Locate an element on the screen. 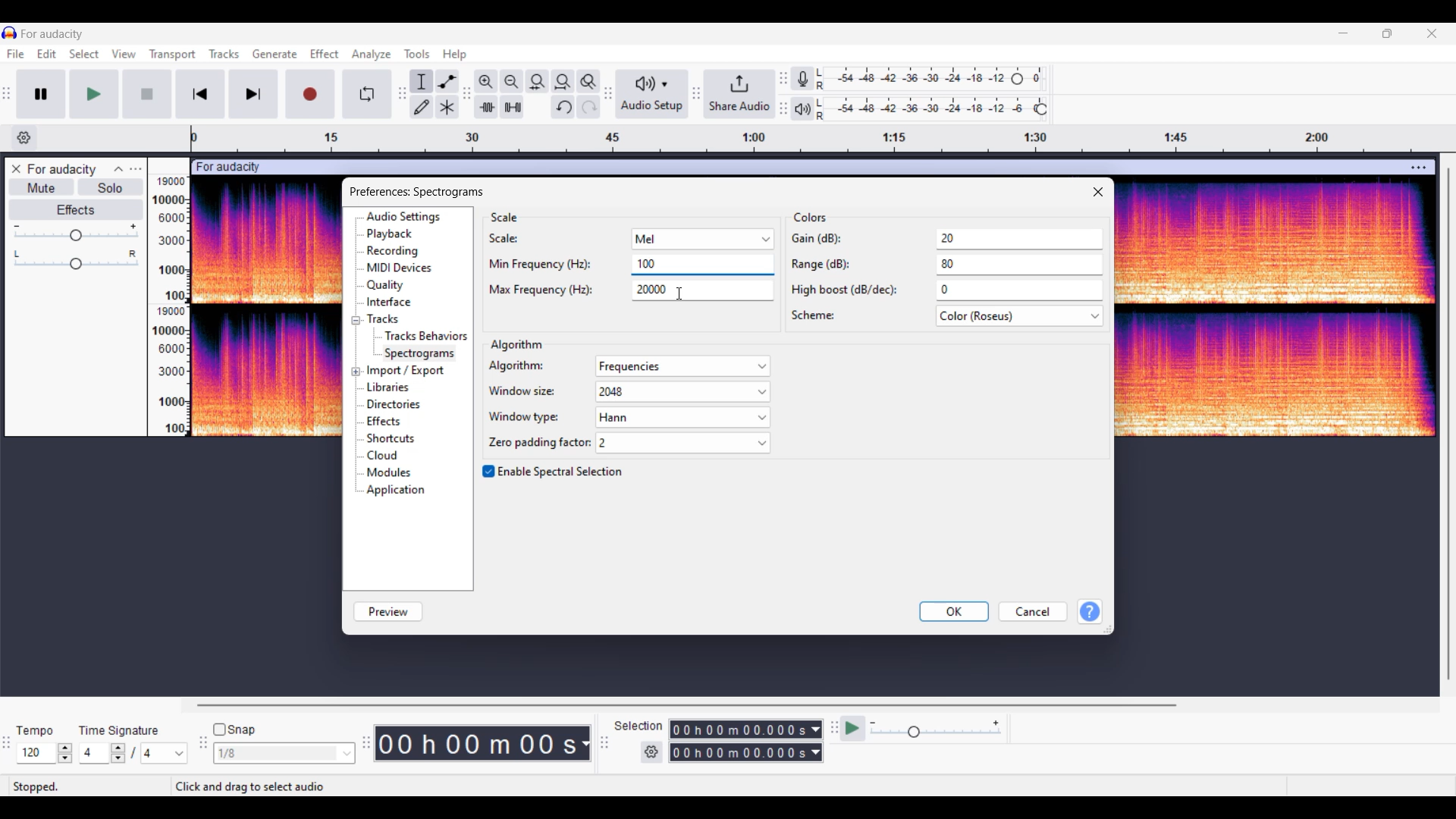  Recording level is located at coordinates (930, 79).